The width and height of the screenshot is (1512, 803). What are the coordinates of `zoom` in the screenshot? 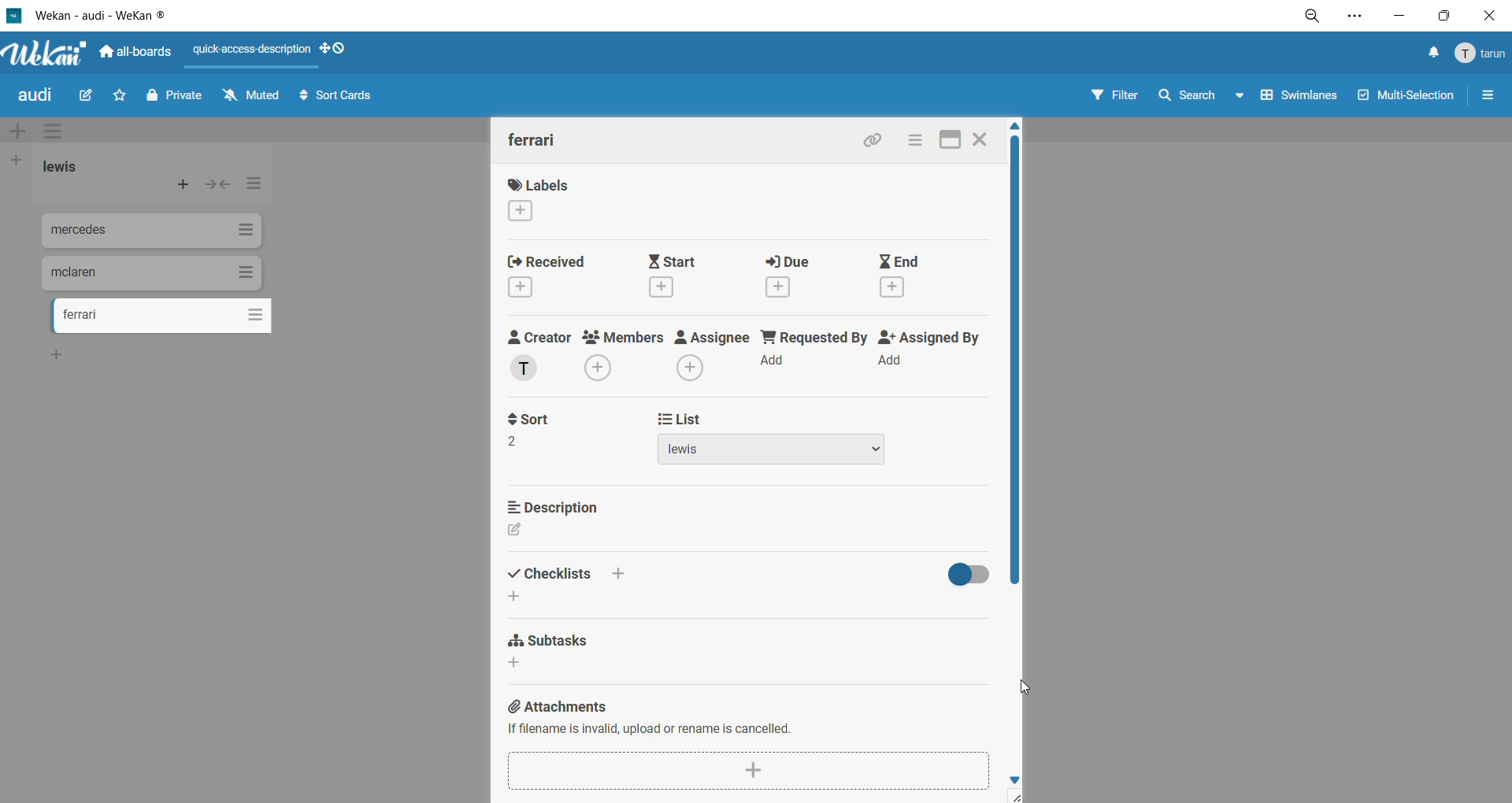 It's located at (1316, 16).